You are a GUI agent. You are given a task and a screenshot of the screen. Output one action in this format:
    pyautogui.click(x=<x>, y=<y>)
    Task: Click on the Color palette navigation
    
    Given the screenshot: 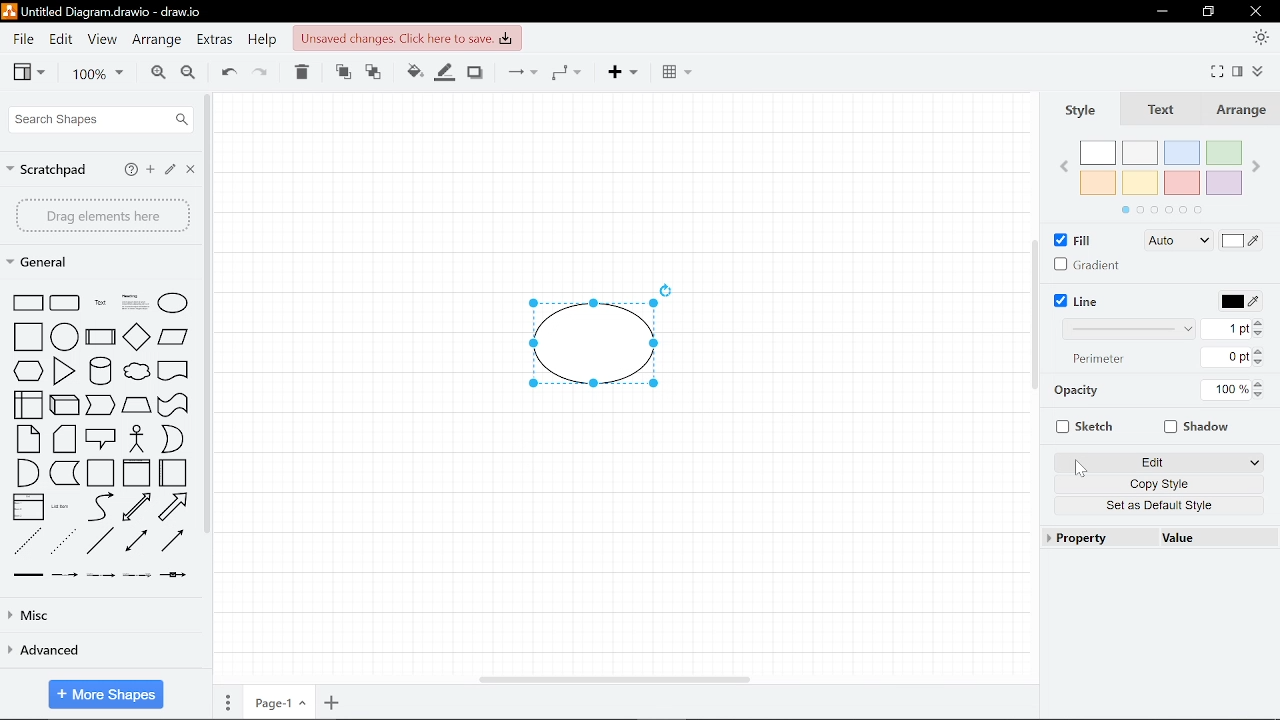 What is the action you would take?
    pyautogui.click(x=1161, y=211)
    